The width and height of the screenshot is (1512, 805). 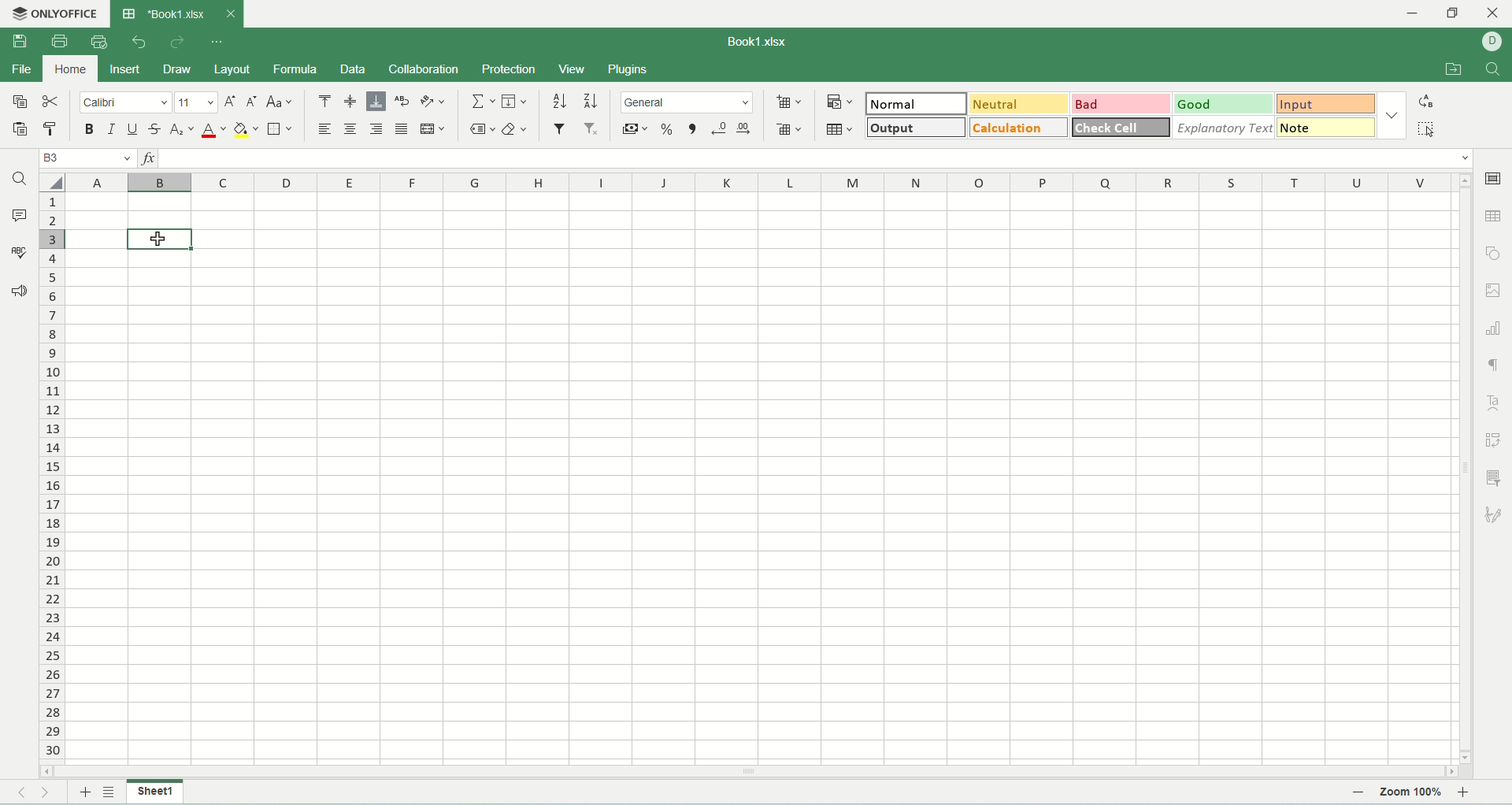 What do you see at coordinates (1421, 14) in the screenshot?
I see `minimize` at bounding box center [1421, 14].